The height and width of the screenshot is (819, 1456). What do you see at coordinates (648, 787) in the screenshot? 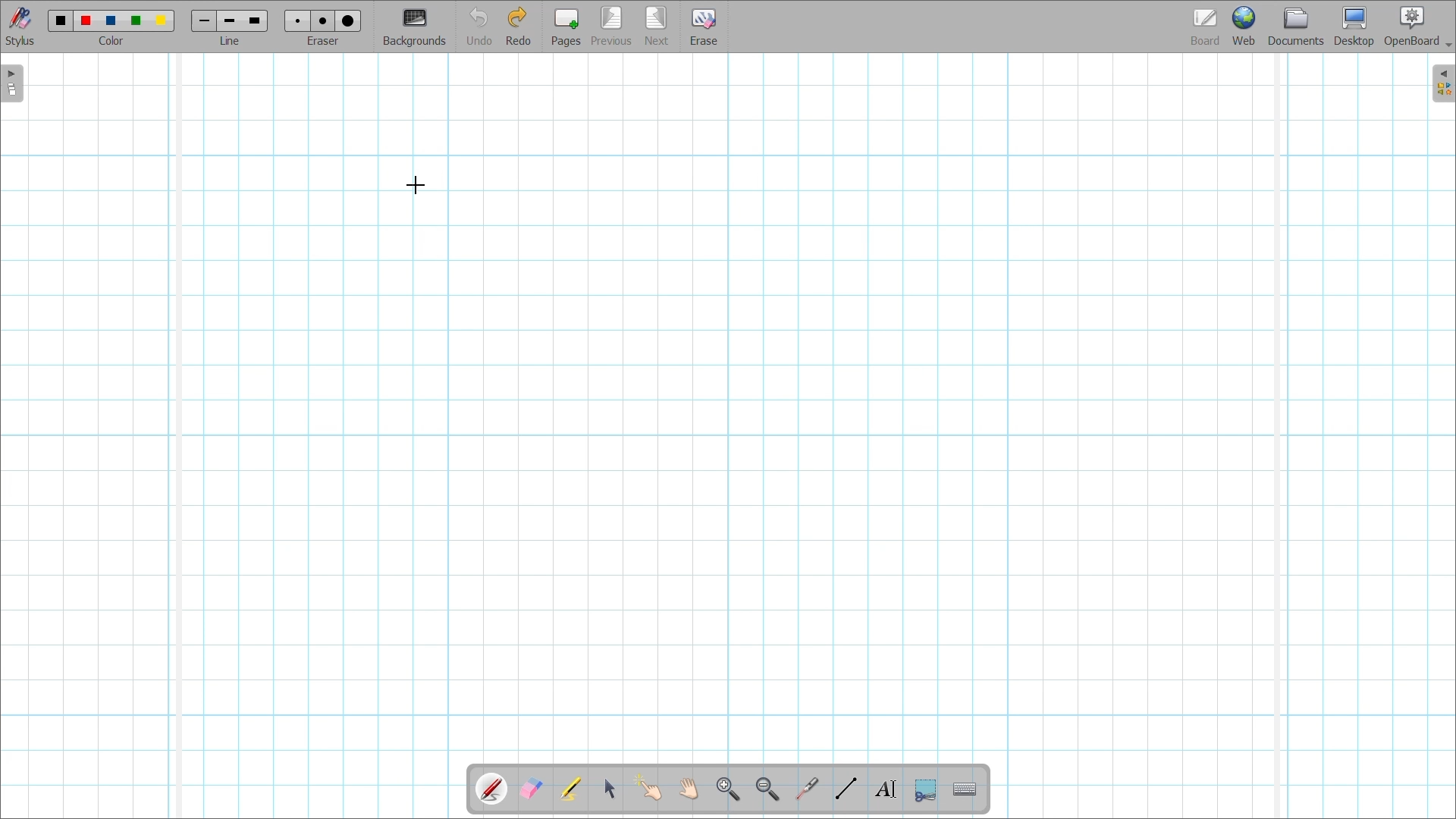
I see `Interact with items` at bounding box center [648, 787].